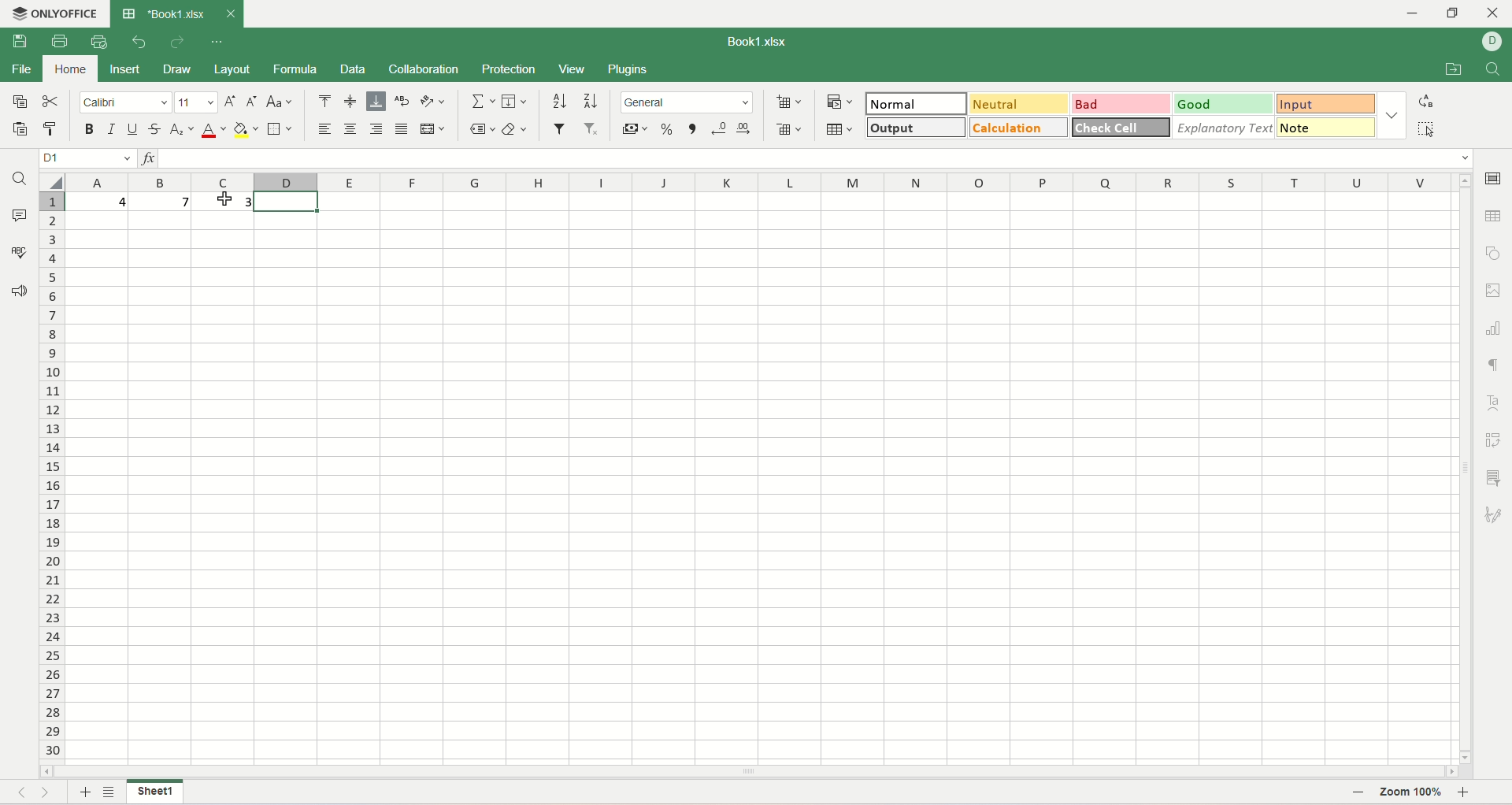 The image size is (1512, 805). What do you see at coordinates (1329, 127) in the screenshot?
I see `note` at bounding box center [1329, 127].